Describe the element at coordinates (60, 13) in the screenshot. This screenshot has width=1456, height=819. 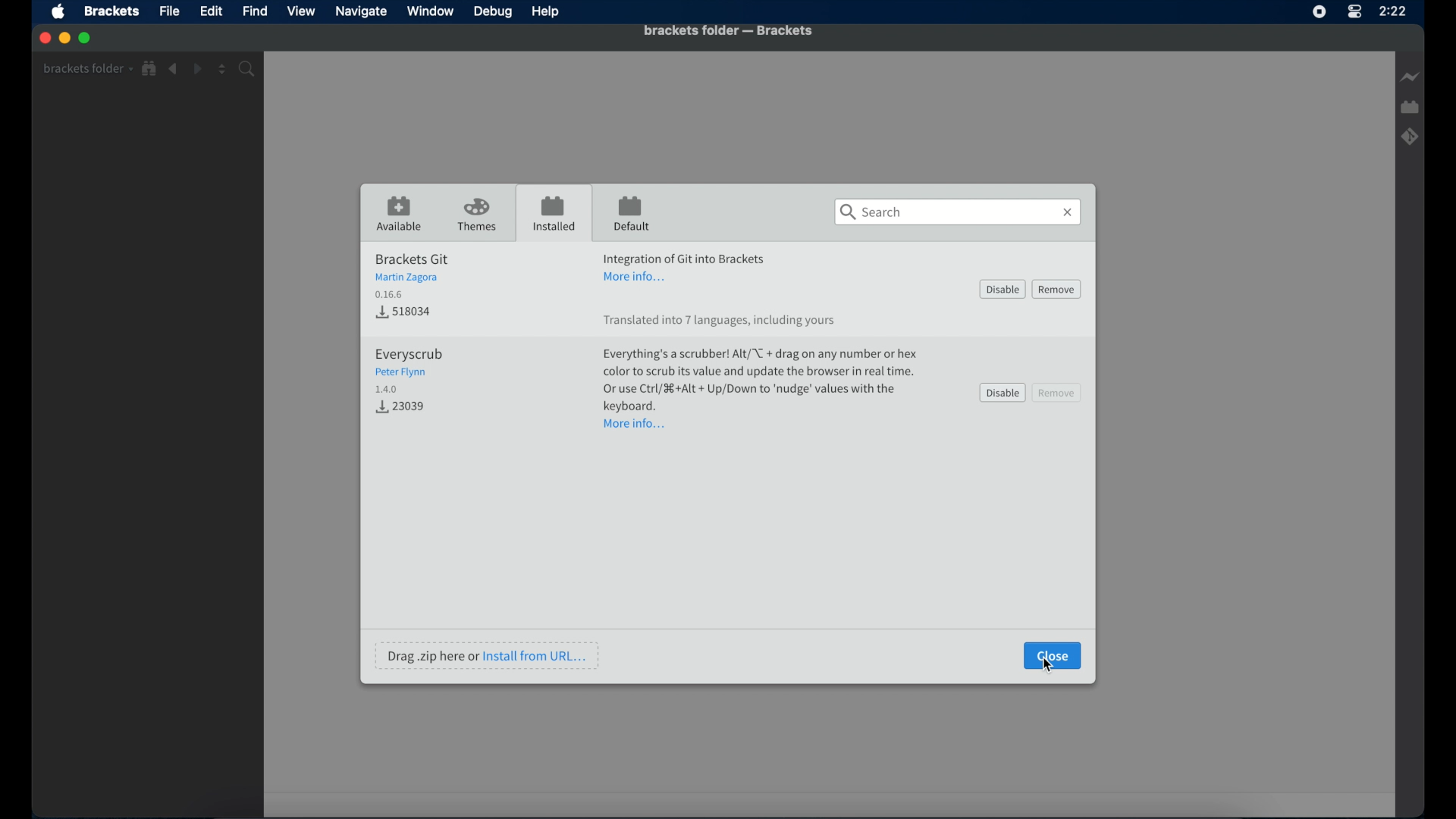
I see `apple icon` at that location.